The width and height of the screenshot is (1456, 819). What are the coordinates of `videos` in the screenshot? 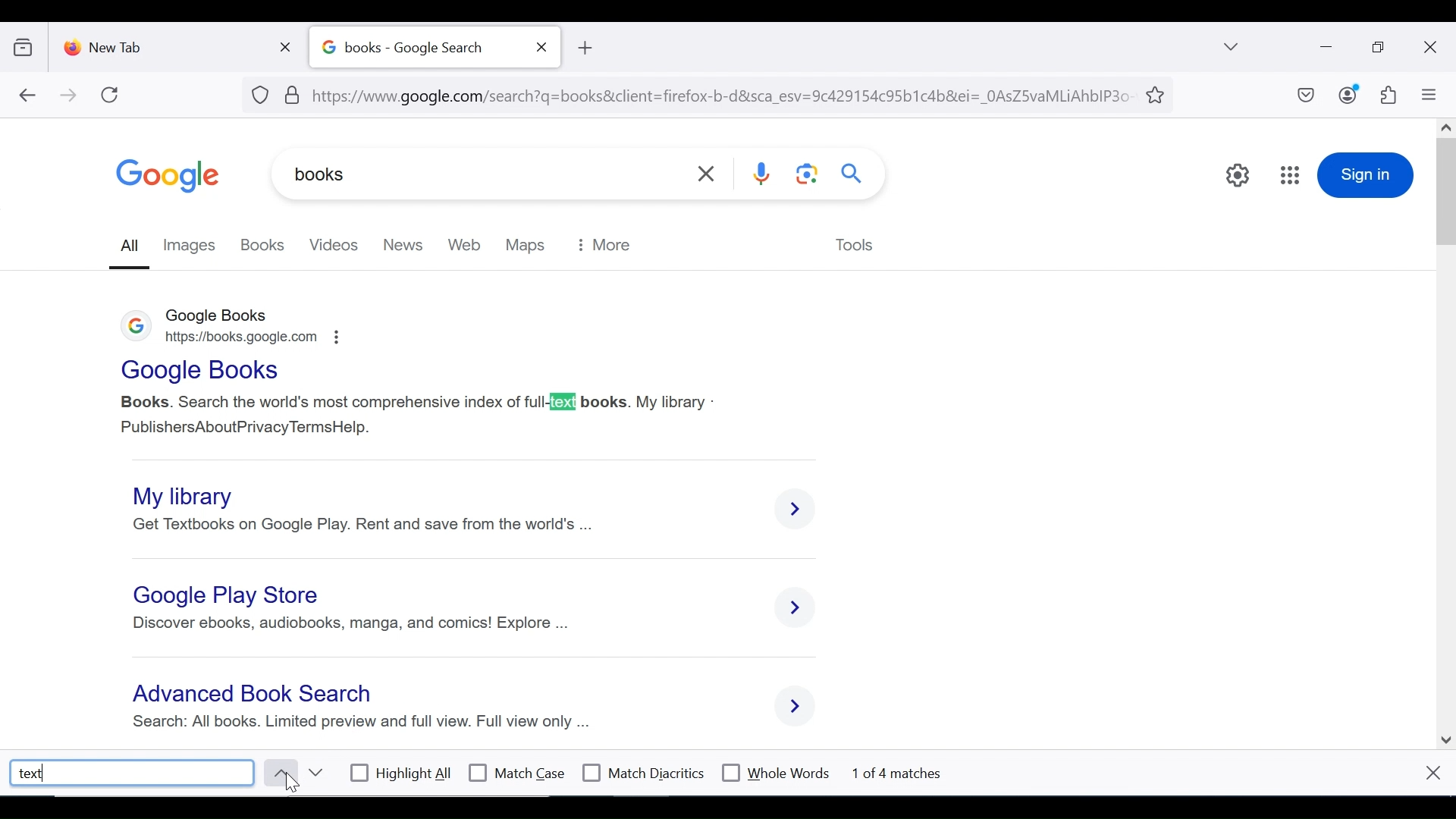 It's located at (332, 244).